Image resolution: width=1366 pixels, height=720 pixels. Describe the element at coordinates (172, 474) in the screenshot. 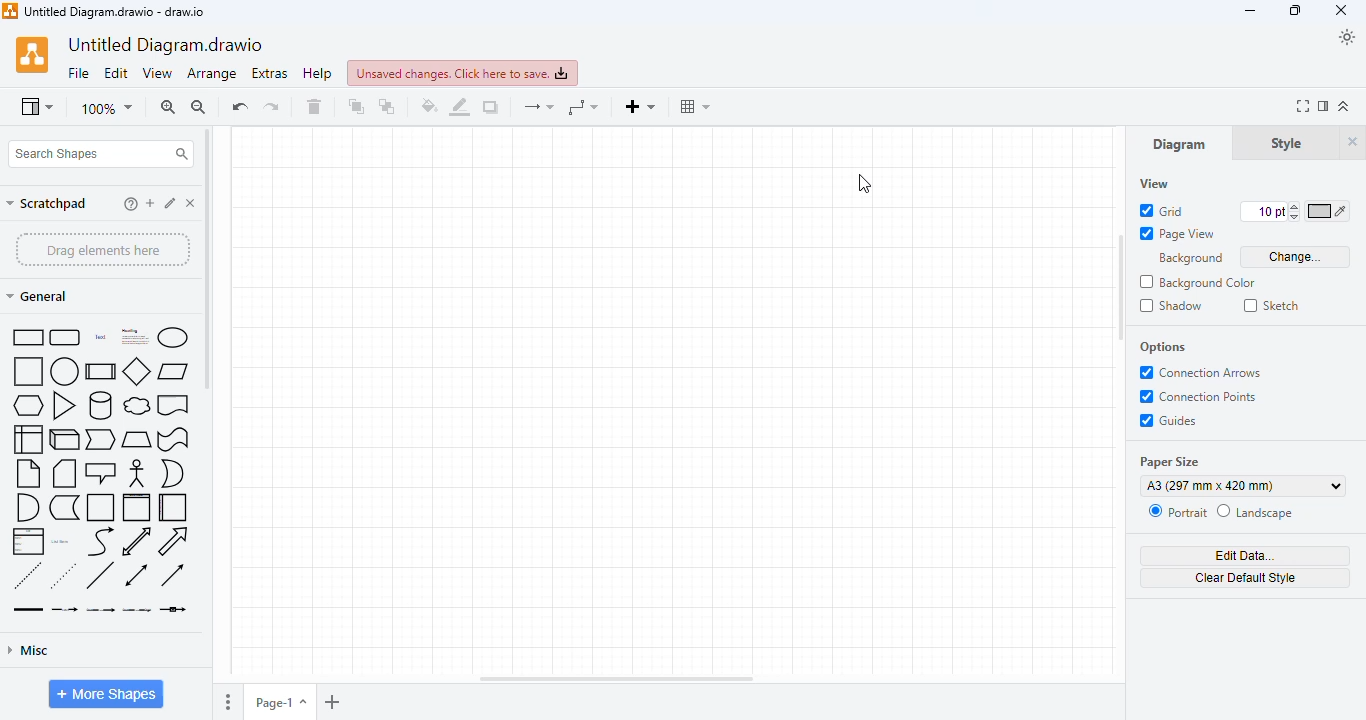

I see `or` at that location.